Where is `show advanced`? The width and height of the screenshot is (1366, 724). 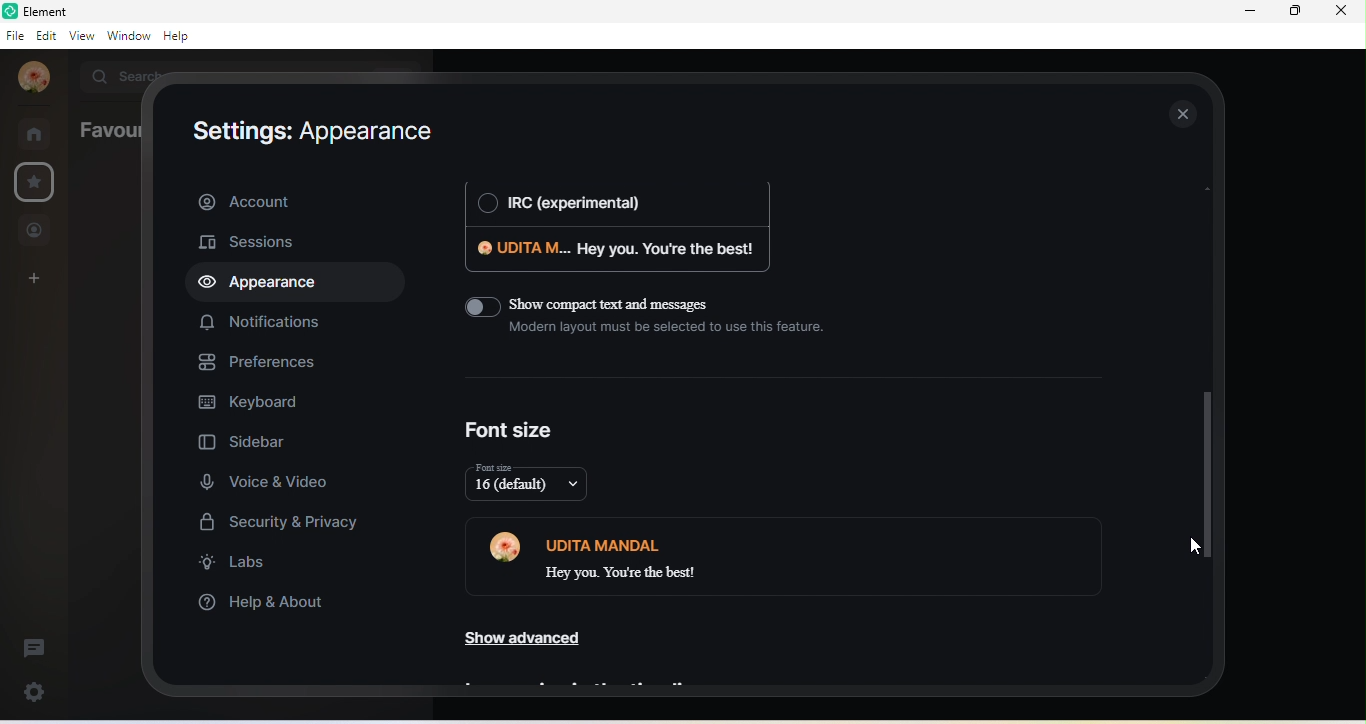 show advanced is located at coordinates (523, 633).